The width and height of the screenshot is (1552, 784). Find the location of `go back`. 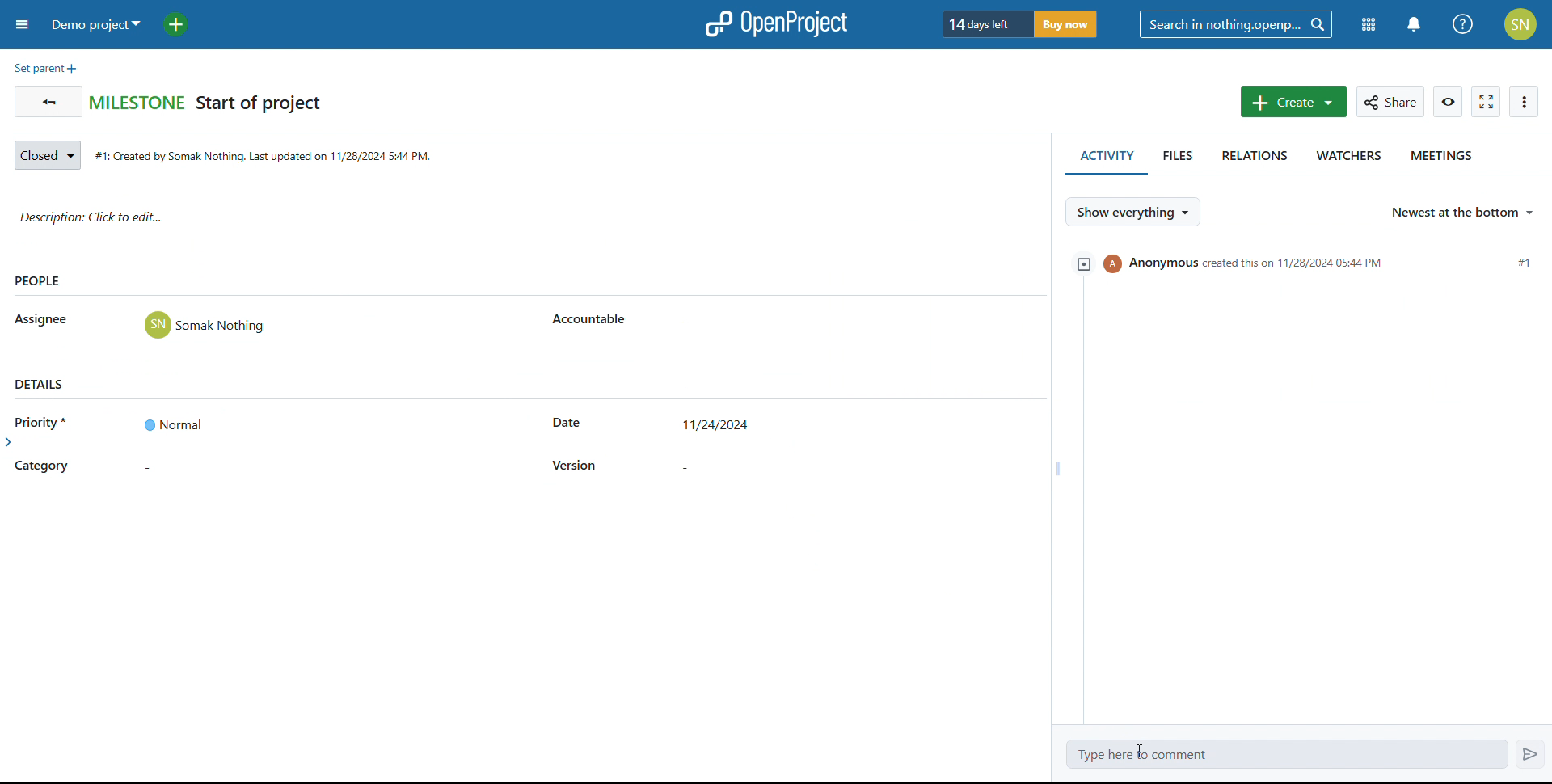

go back is located at coordinates (48, 102).